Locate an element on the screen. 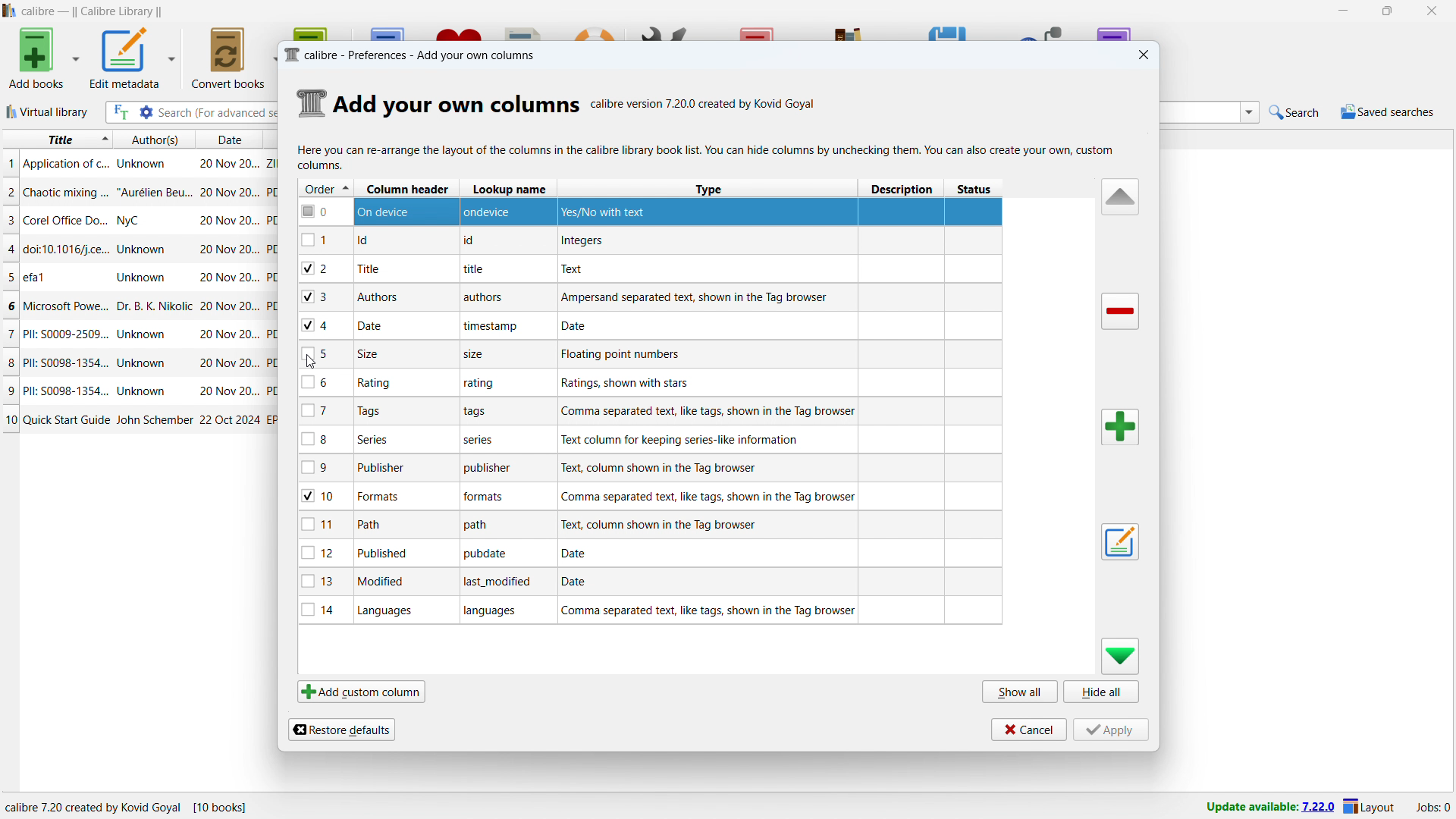 Image resolution: width=1456 pixels, height=819 pixels. title is located at coordinates (64, 362).